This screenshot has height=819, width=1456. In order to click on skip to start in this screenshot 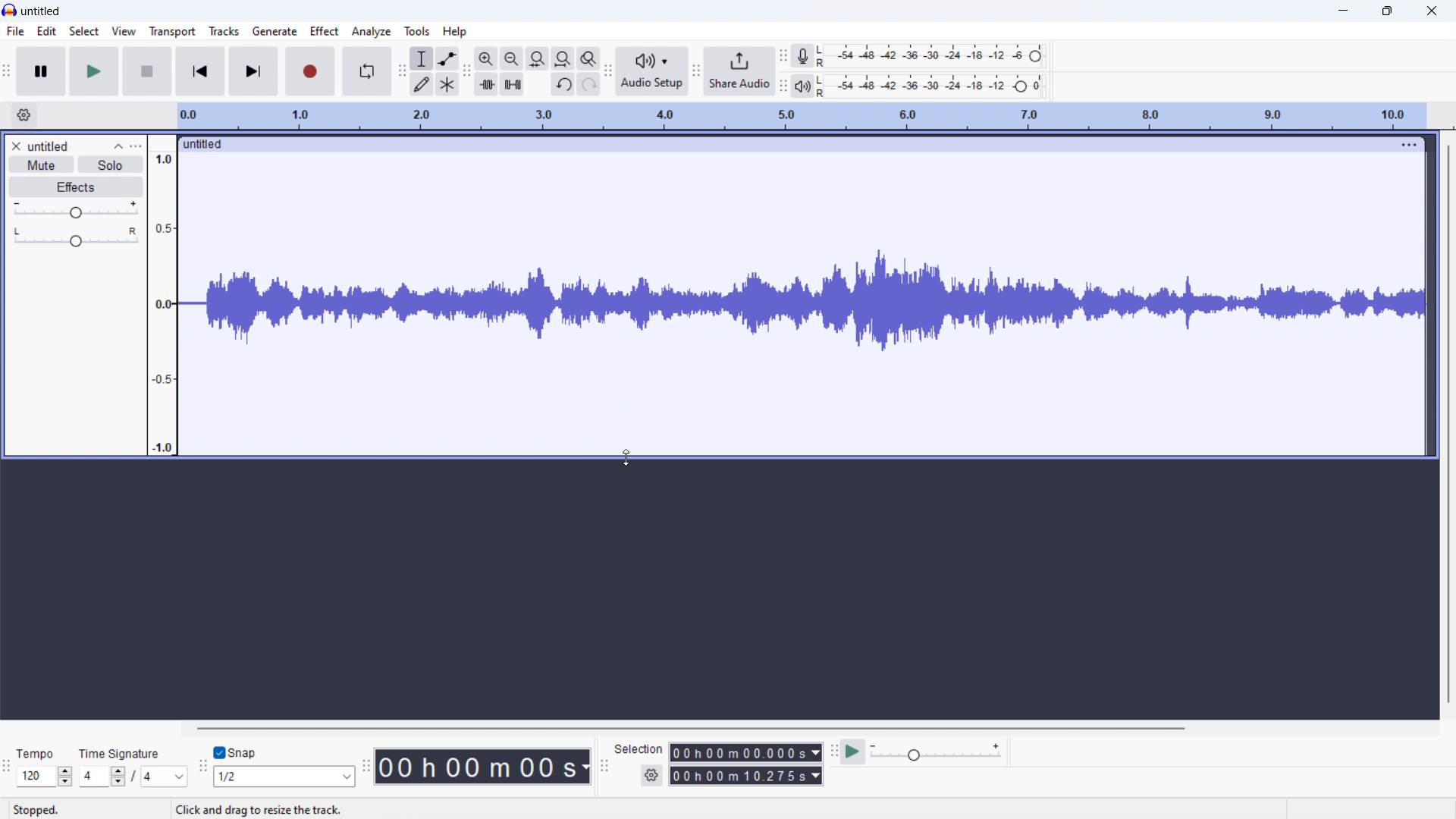, I will do `click(201, 71)`.